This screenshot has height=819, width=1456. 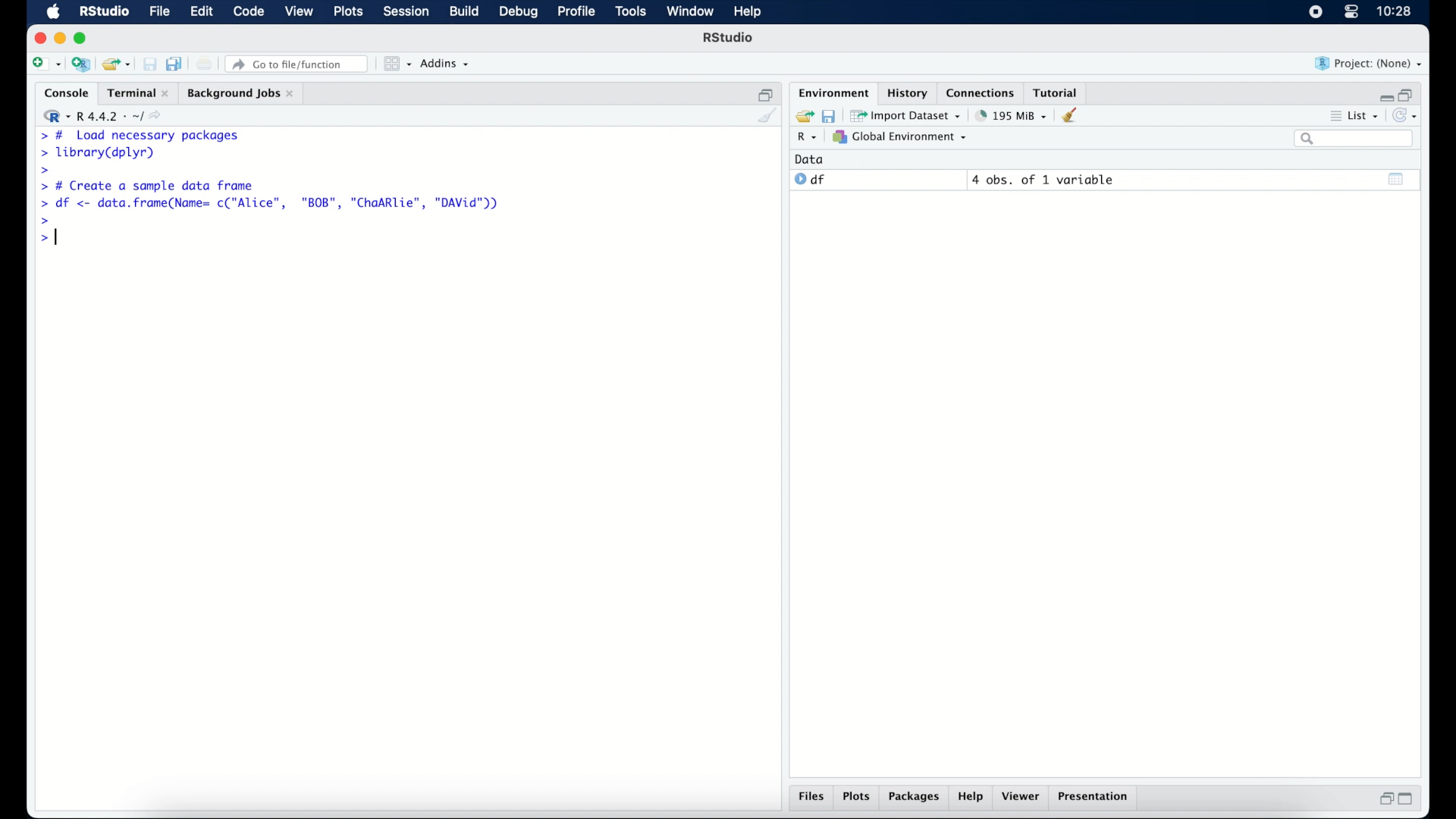 I want to click on minimize, so click(x=1384, y=94).